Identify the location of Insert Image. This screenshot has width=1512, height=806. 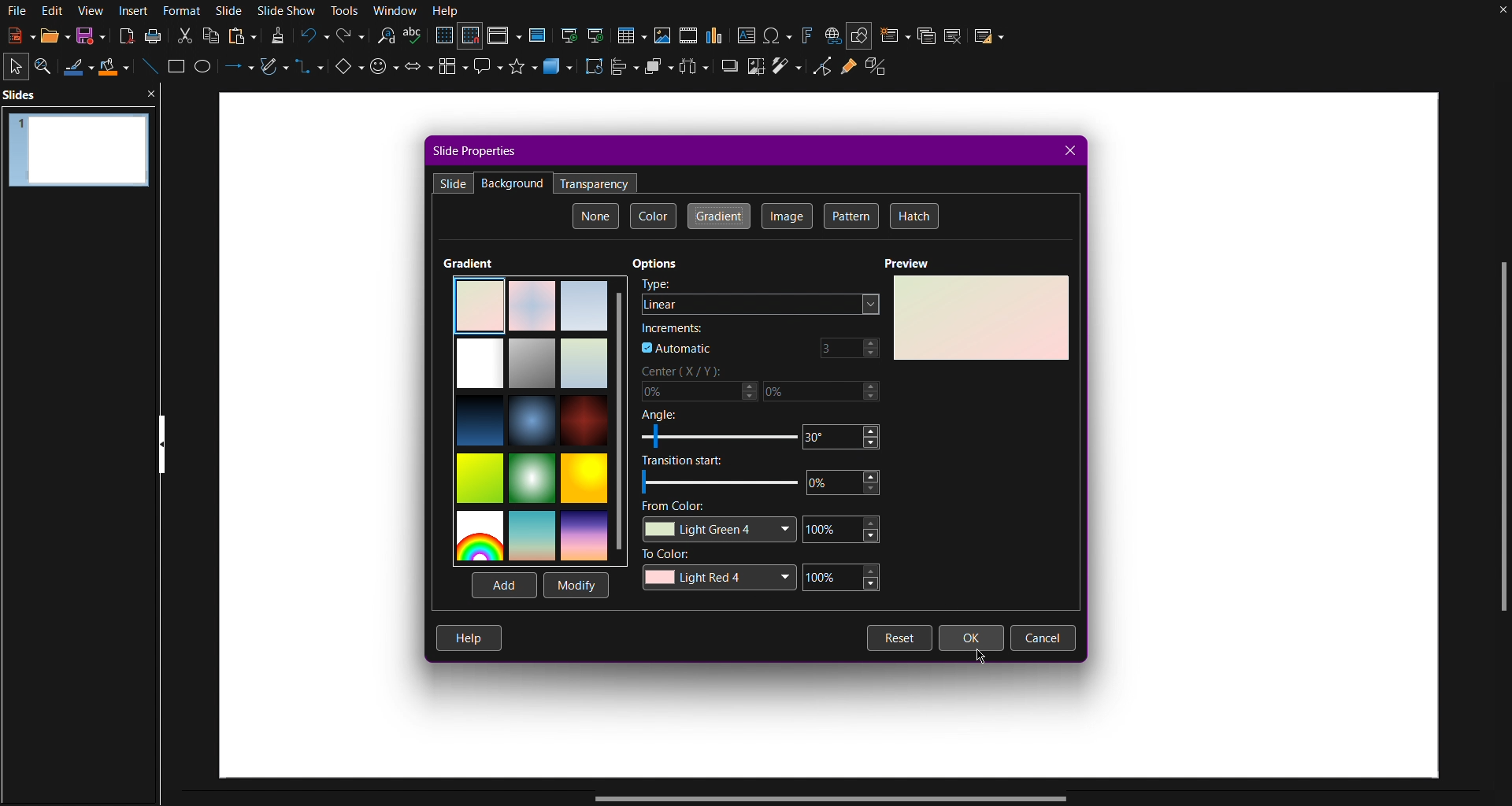
(665, 34).